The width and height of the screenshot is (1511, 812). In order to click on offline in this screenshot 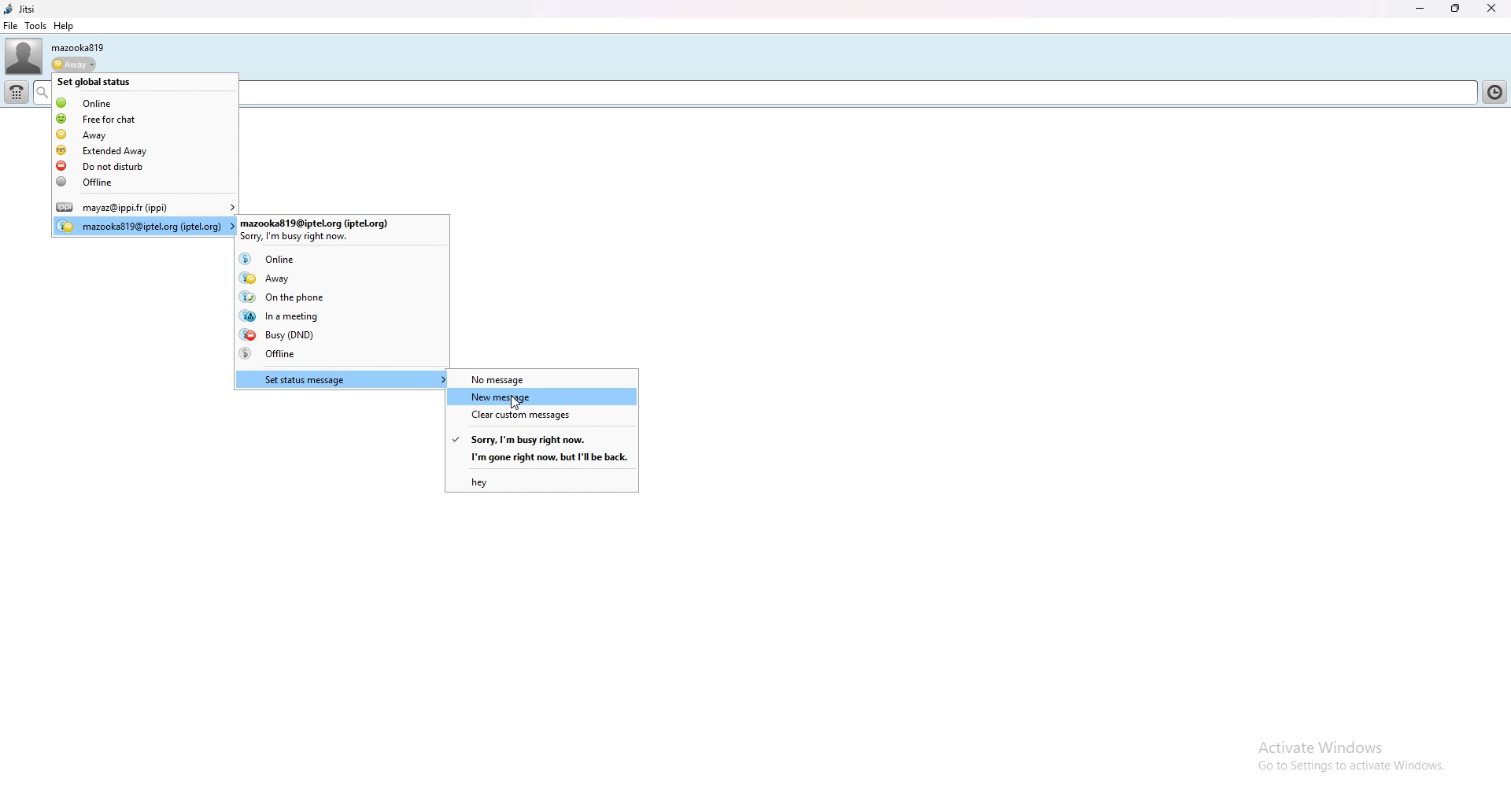, I will do `click(147, 183)`.